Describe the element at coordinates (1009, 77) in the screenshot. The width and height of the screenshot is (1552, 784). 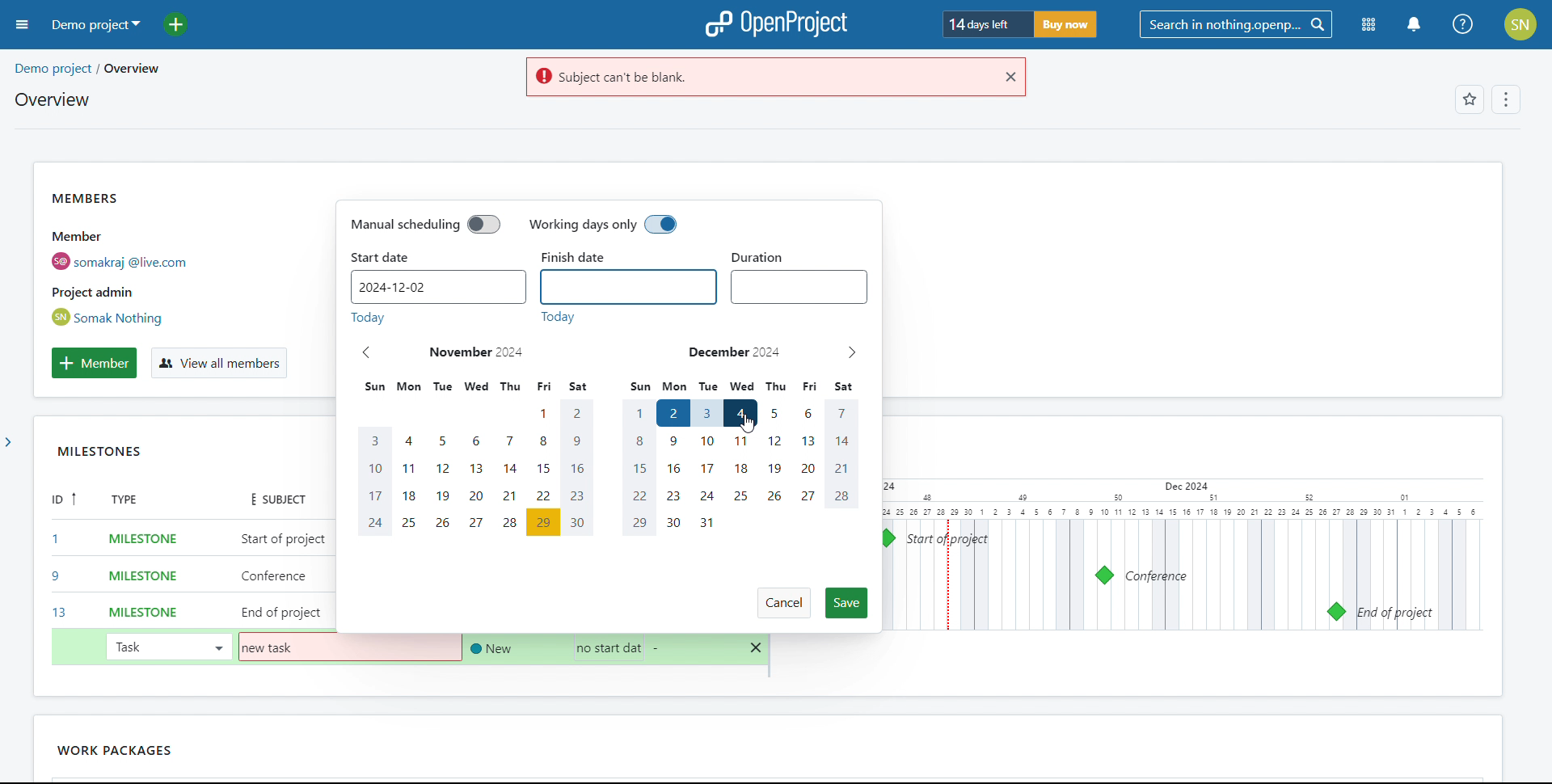
I see `close warning` at that location.